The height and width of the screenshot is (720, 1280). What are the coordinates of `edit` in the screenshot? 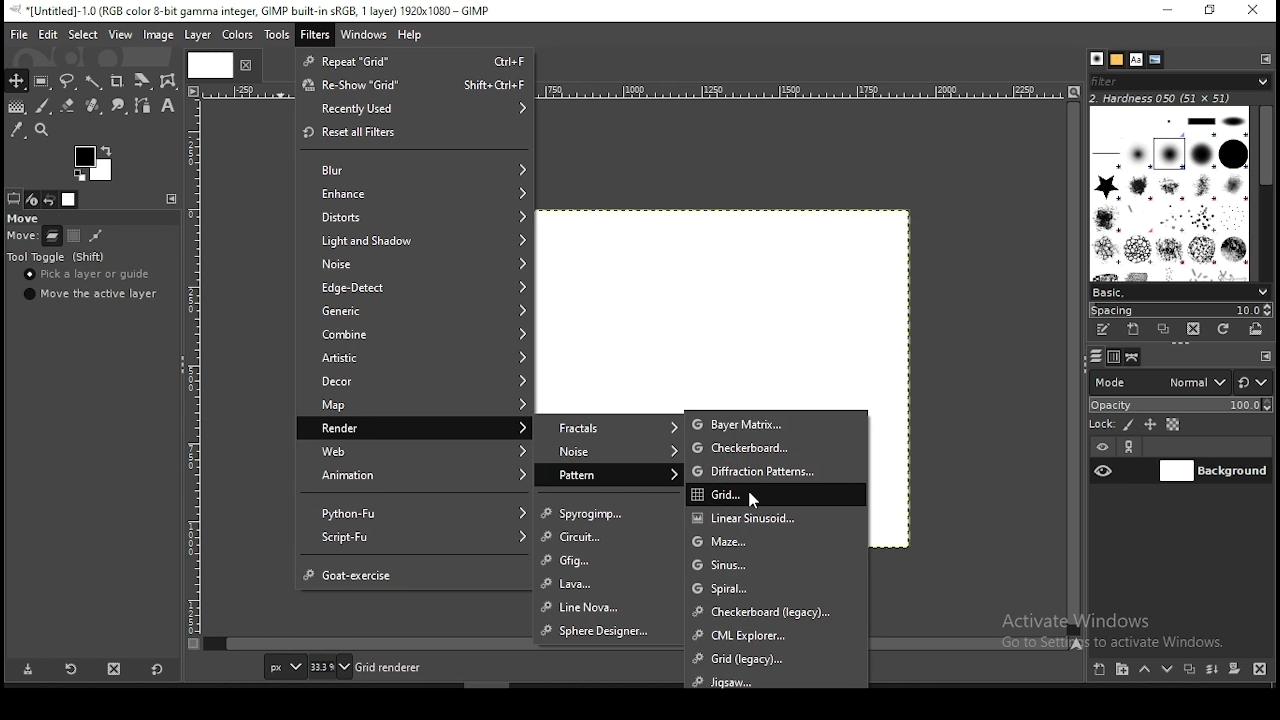 It's located at (48, 35).